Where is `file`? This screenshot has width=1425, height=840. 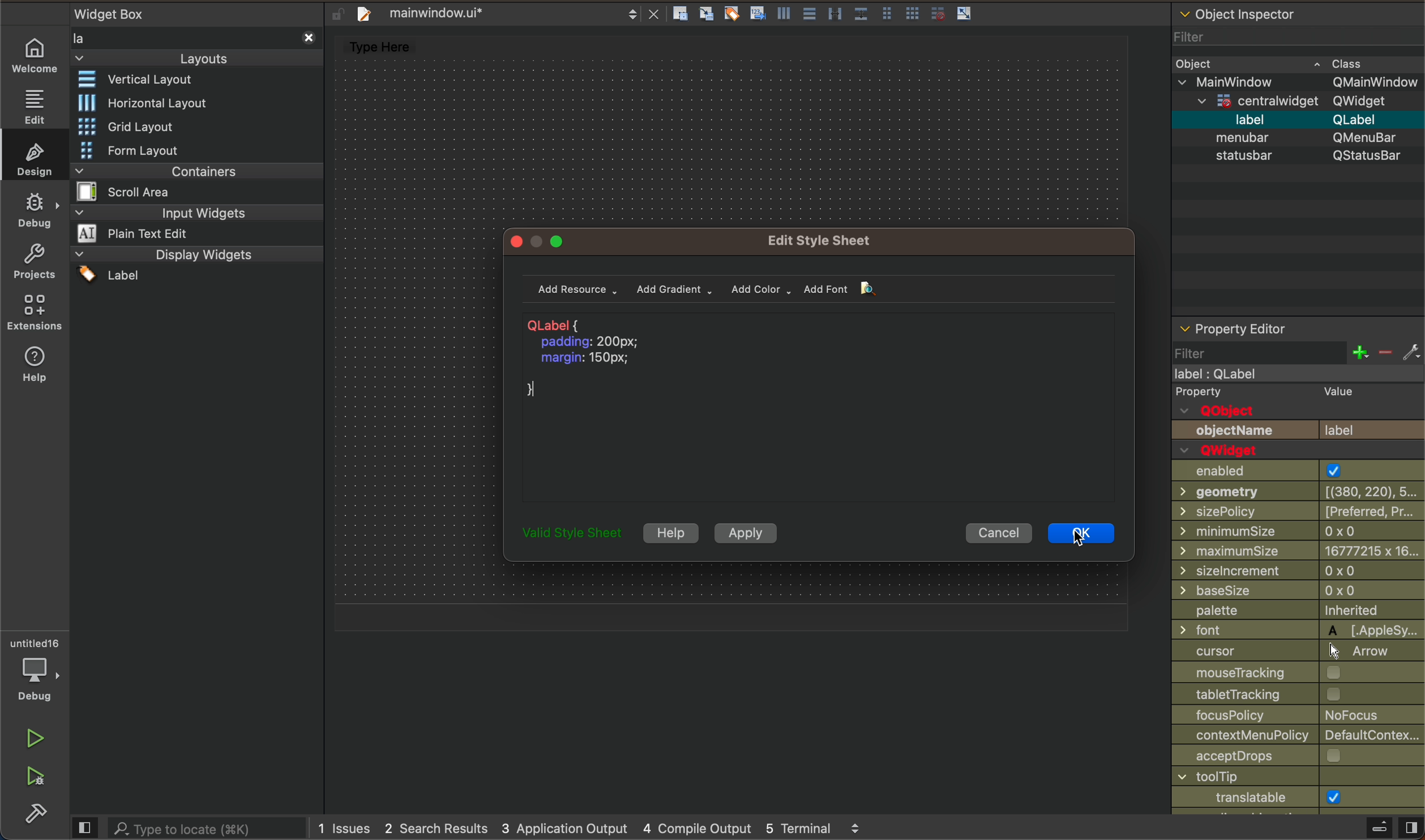
file is located at coordinates (504, 12).